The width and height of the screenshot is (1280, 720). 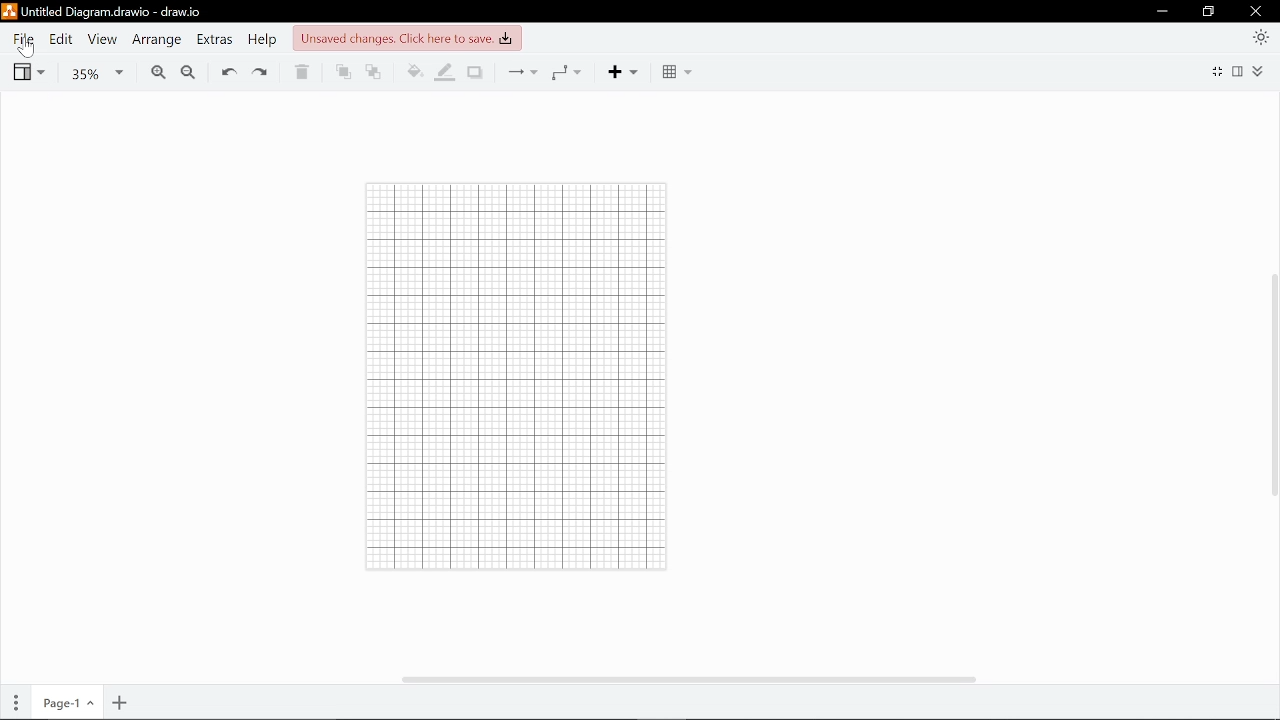 What do you see at coordinates (342, 74) in the screenshot?
I see `To front` at bounding box center [342, 74].